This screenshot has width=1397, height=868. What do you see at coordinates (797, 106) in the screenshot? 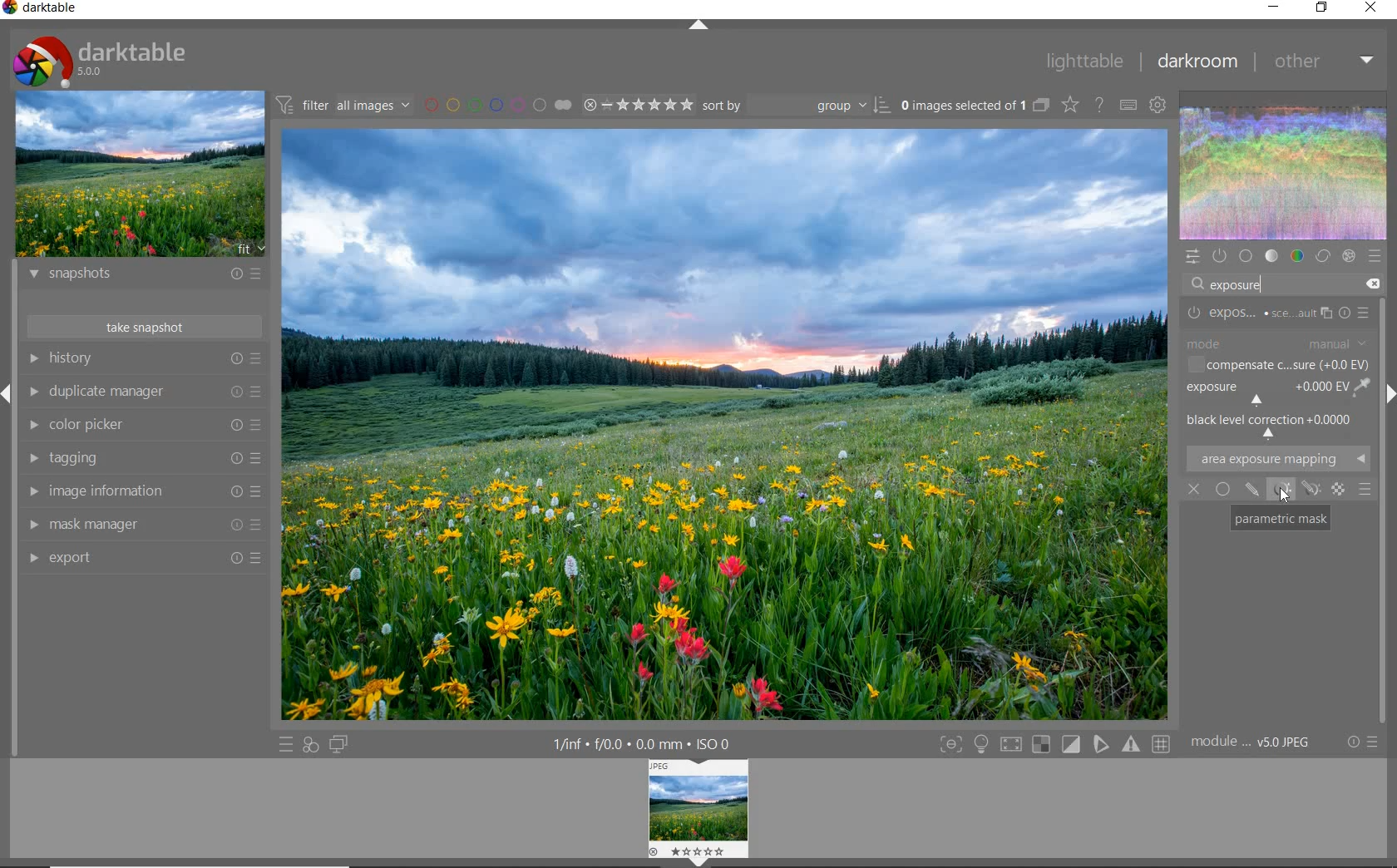
I see `sort` at bounding box center [797, 106].